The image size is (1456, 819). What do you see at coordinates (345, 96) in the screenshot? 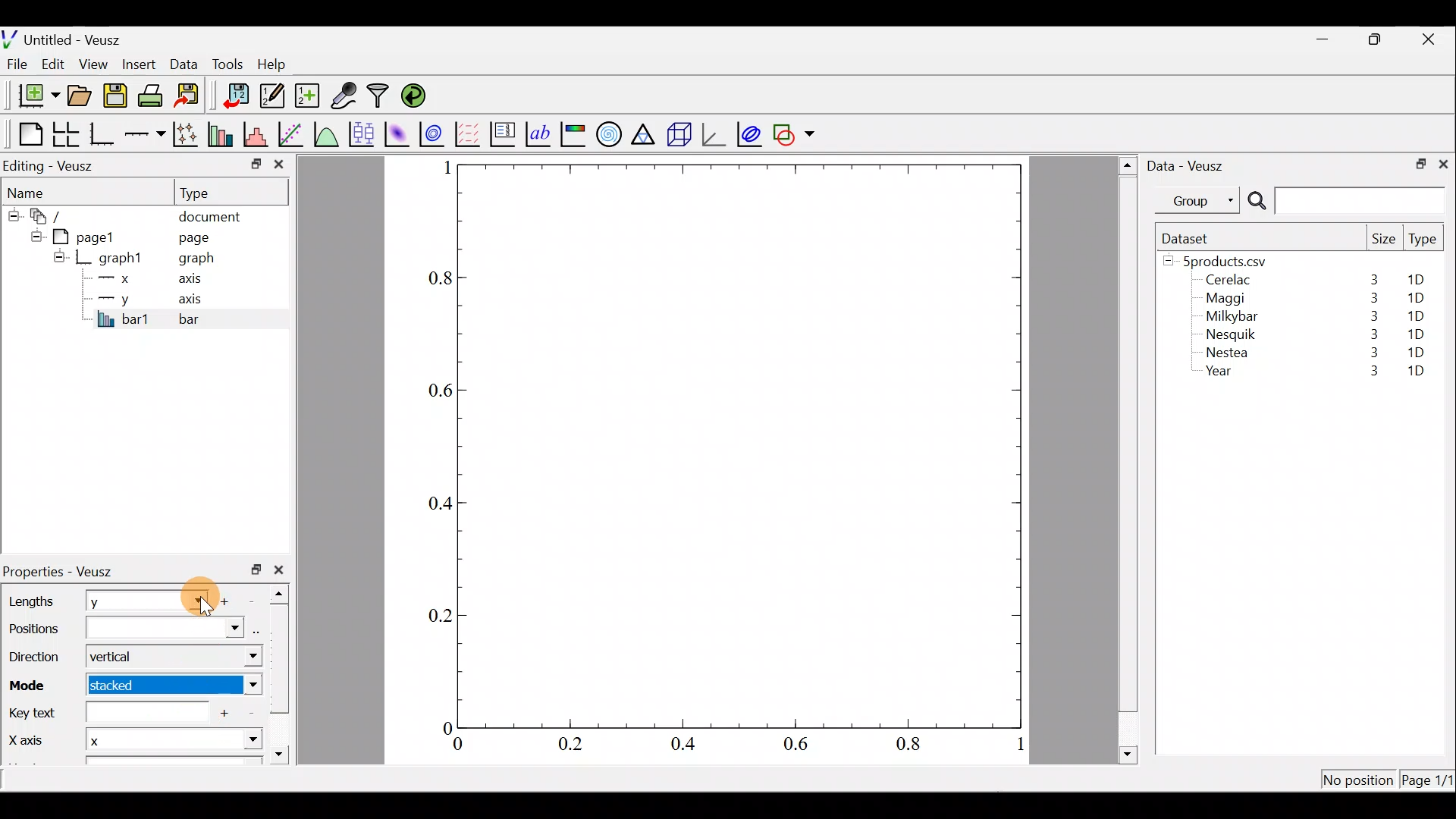
I see `Capture remote data` at bounding box center [345, 96].